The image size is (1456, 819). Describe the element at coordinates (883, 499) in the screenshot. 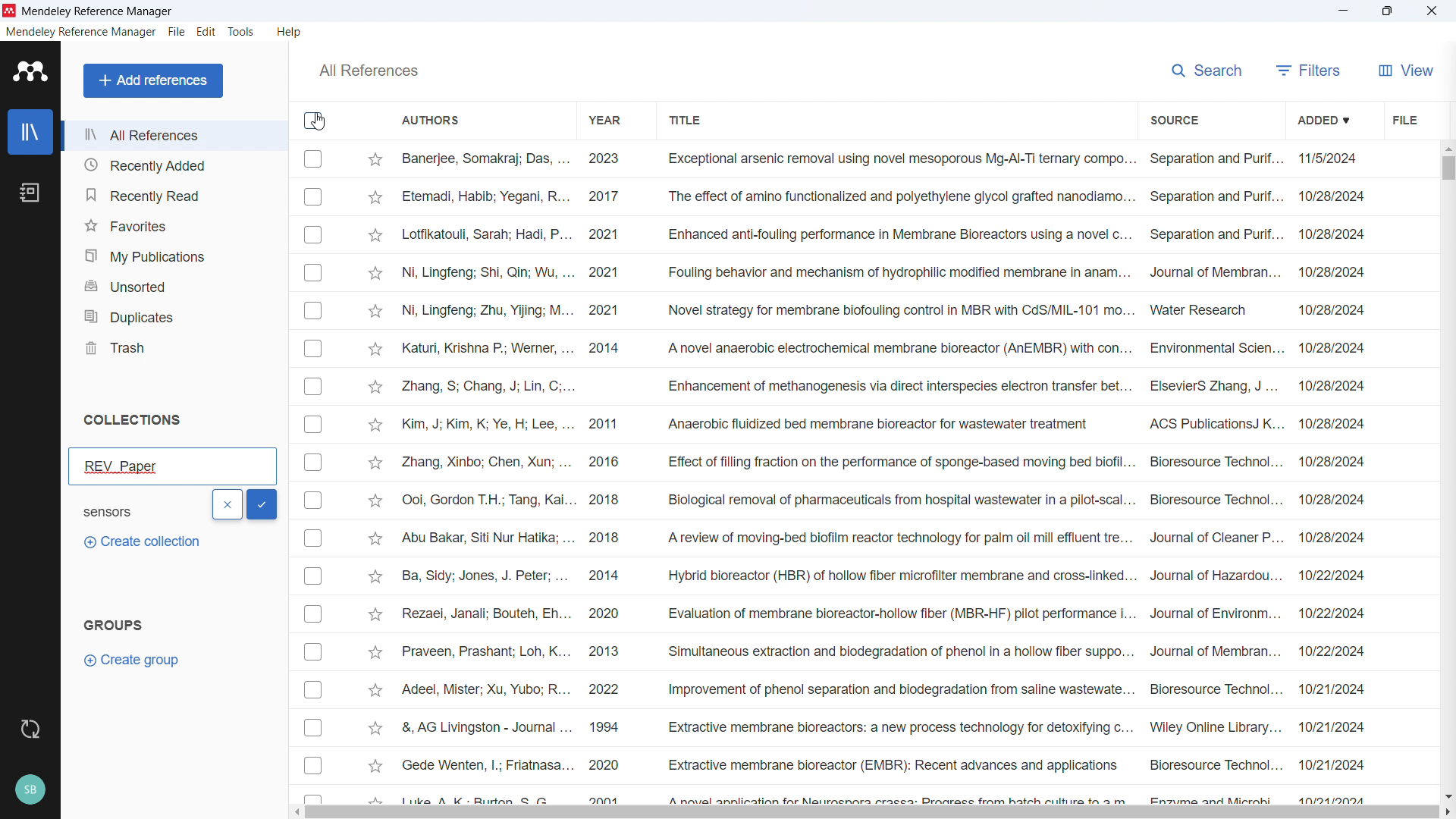

I see `Ooi, Gordon T.H.; Tang, Kai... 2018 Biological removal of pharmaceuticals from hospital wastewater in a pilot-scal... Bioresource Technol... 10/28/2024` at that location.